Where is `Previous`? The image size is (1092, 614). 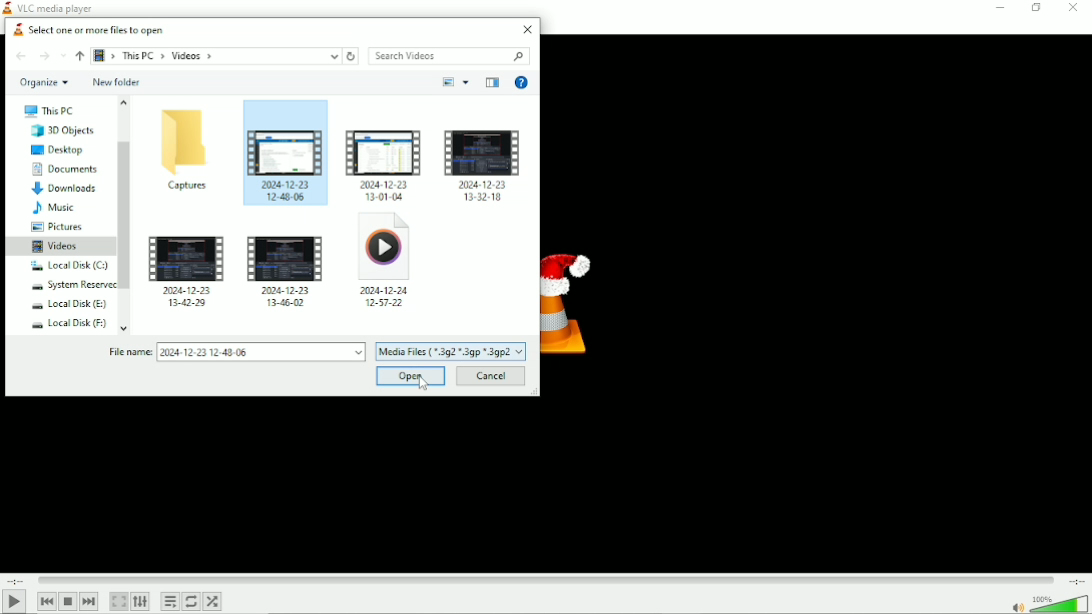
Previous is located at coordinates (46, 602).